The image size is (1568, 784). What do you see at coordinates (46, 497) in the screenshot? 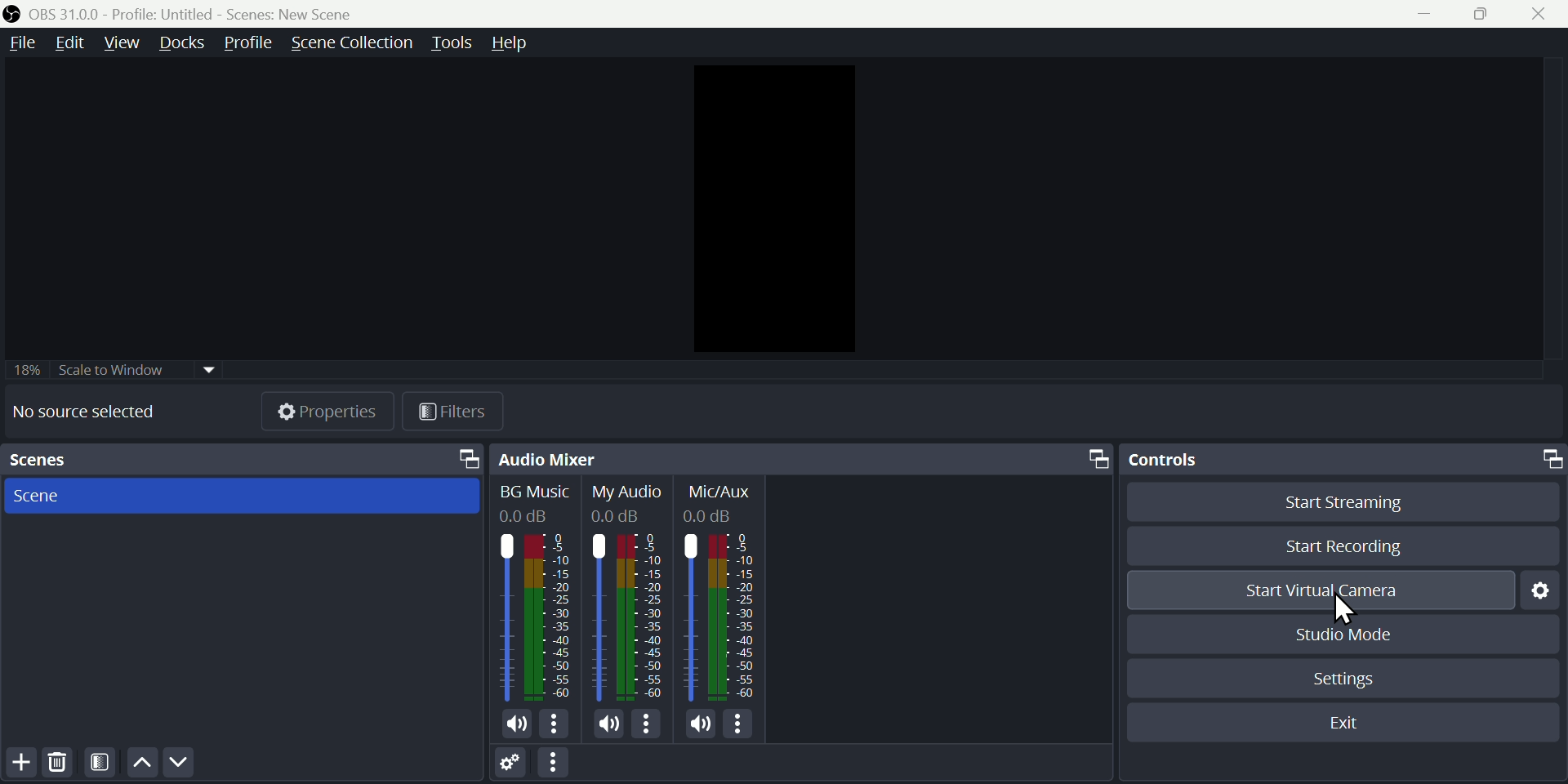
I see `Scene` at bounding box center [46, 497].